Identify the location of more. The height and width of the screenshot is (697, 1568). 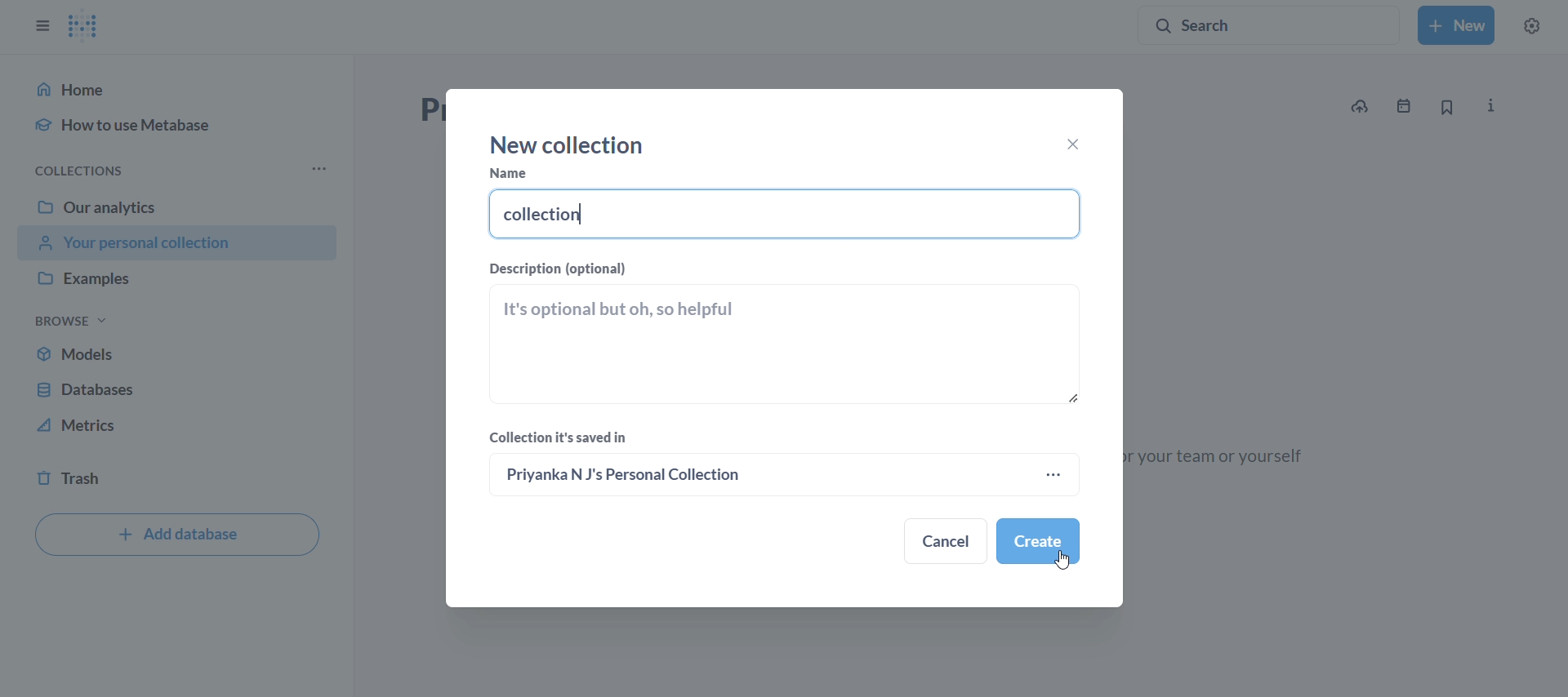
(319, 169).